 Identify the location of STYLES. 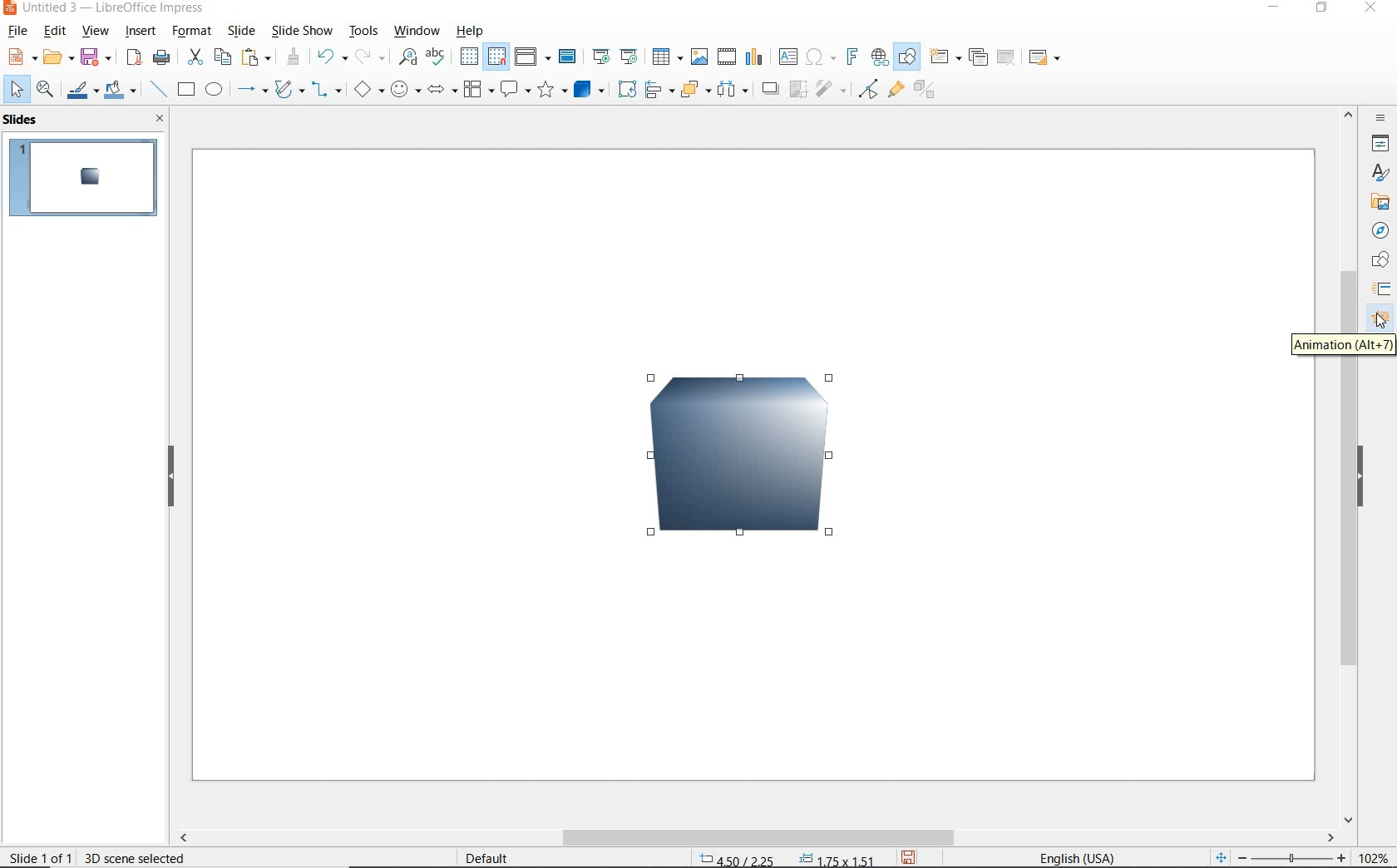
(1380, 173).